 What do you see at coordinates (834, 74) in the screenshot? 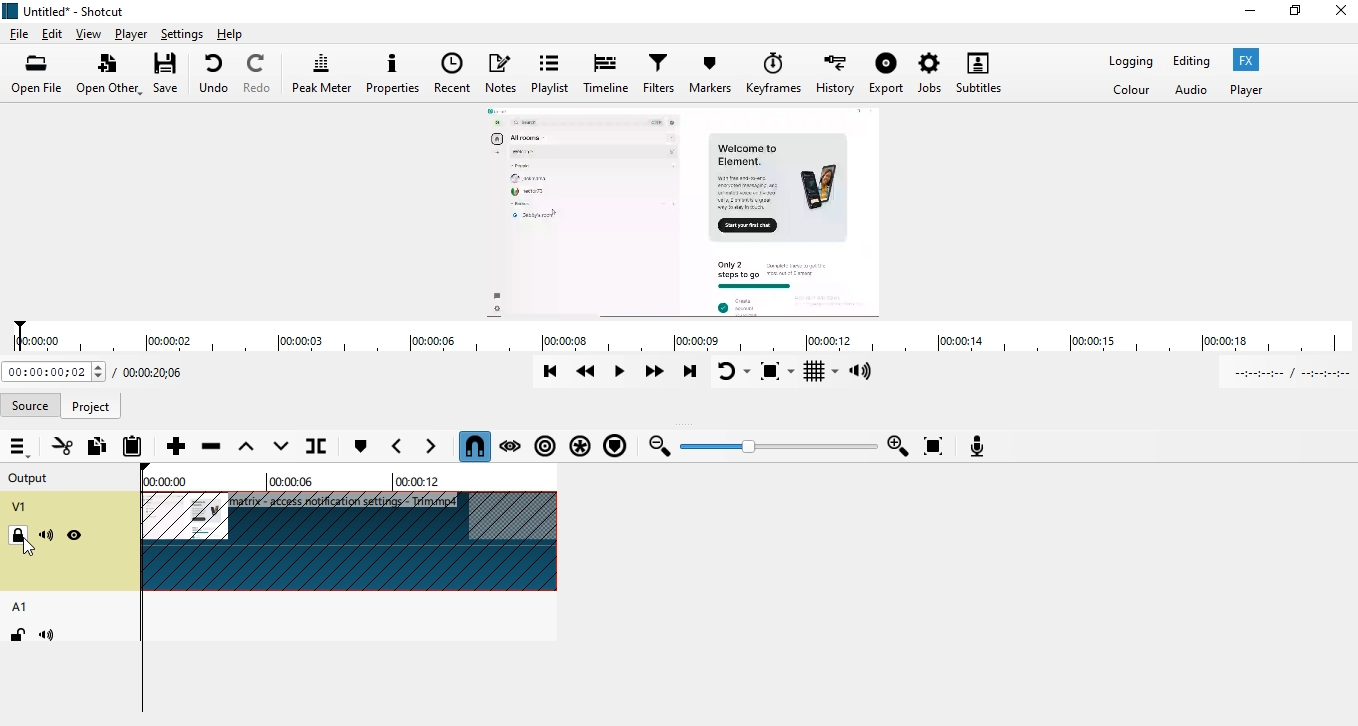
I see `history` at bounding box center [834, 74].